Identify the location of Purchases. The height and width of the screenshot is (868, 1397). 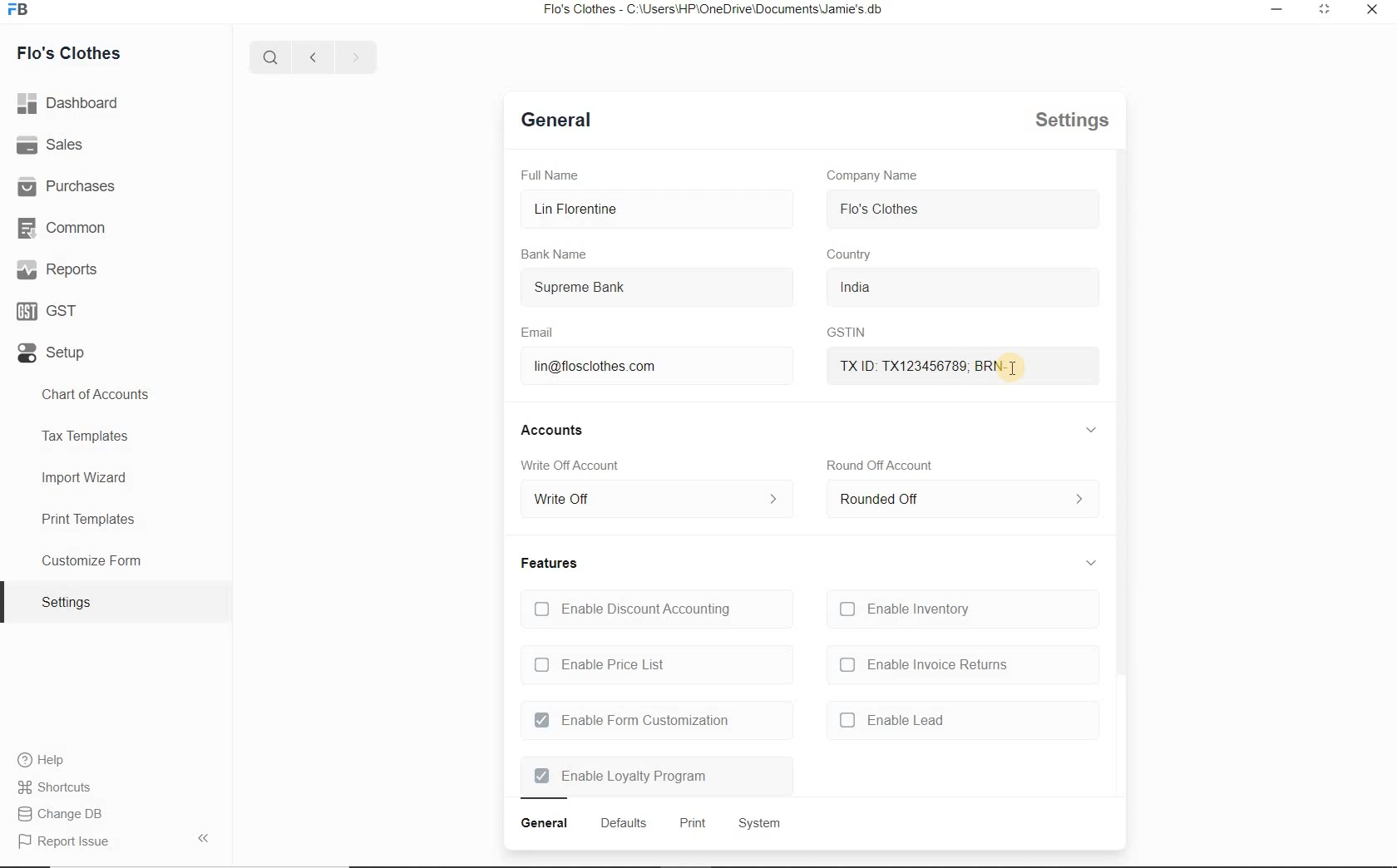
(75, 187).